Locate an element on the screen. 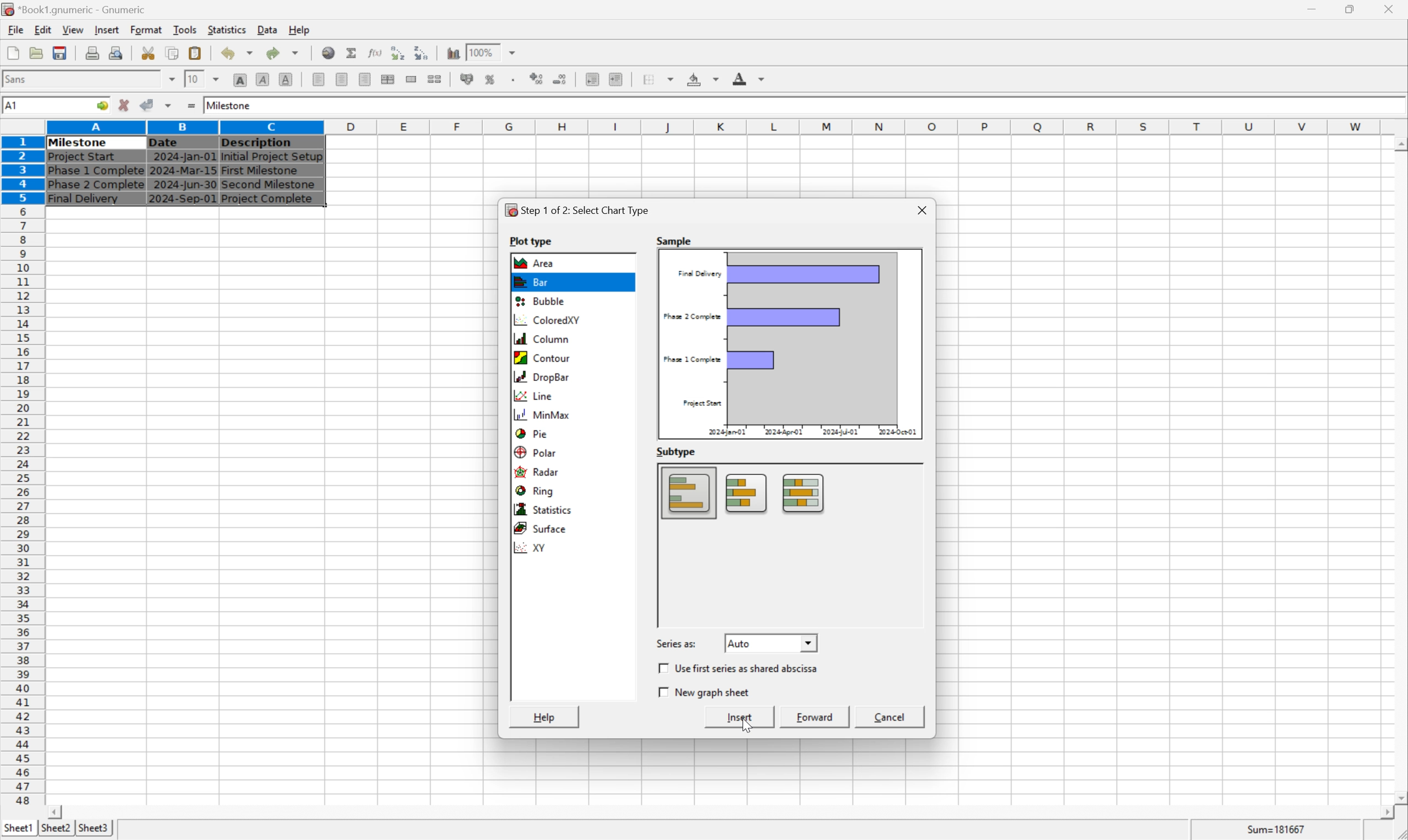  help is located at coordinates (546, 717).